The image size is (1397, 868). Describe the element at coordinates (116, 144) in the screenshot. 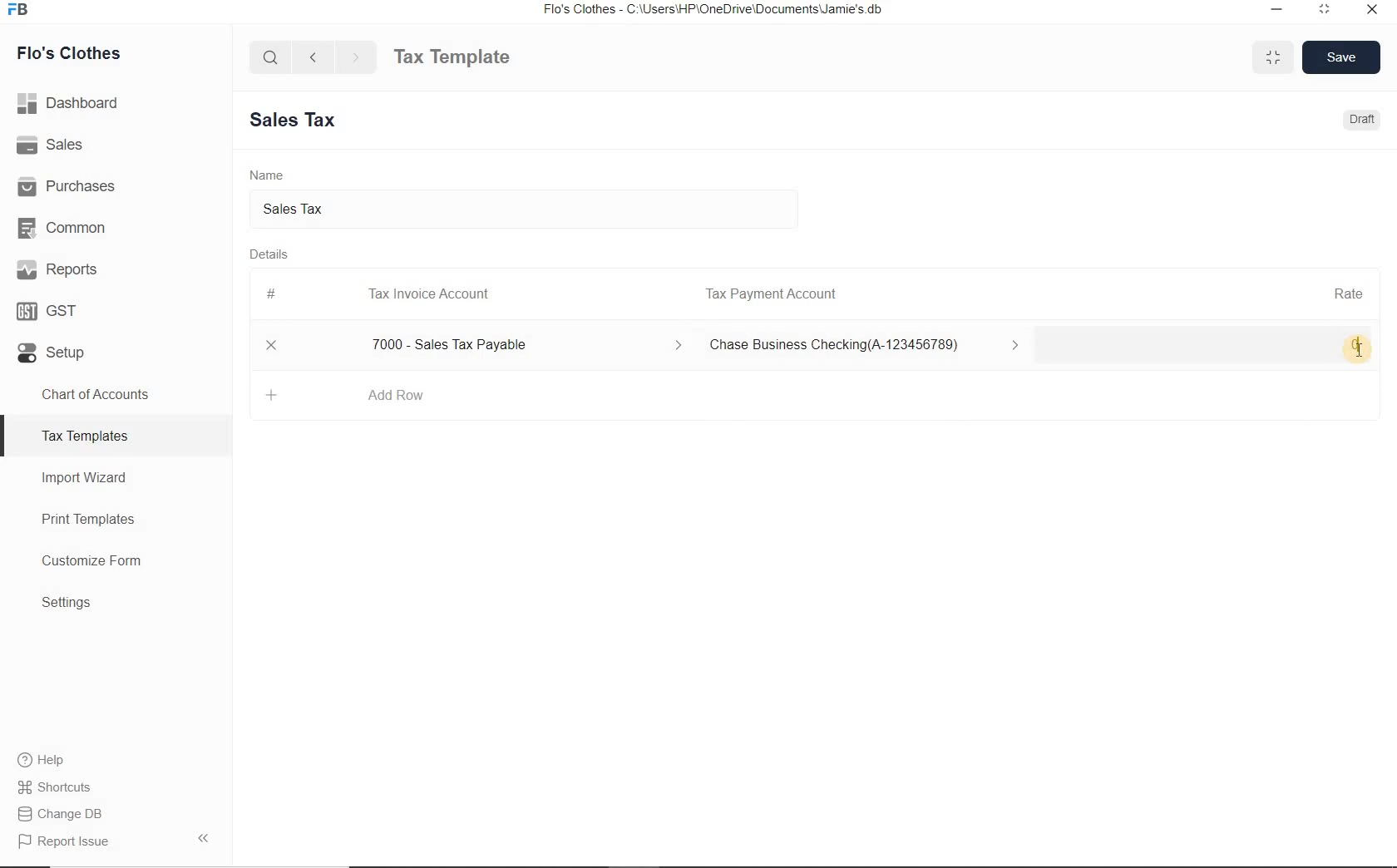

I see `Sales` at that location.